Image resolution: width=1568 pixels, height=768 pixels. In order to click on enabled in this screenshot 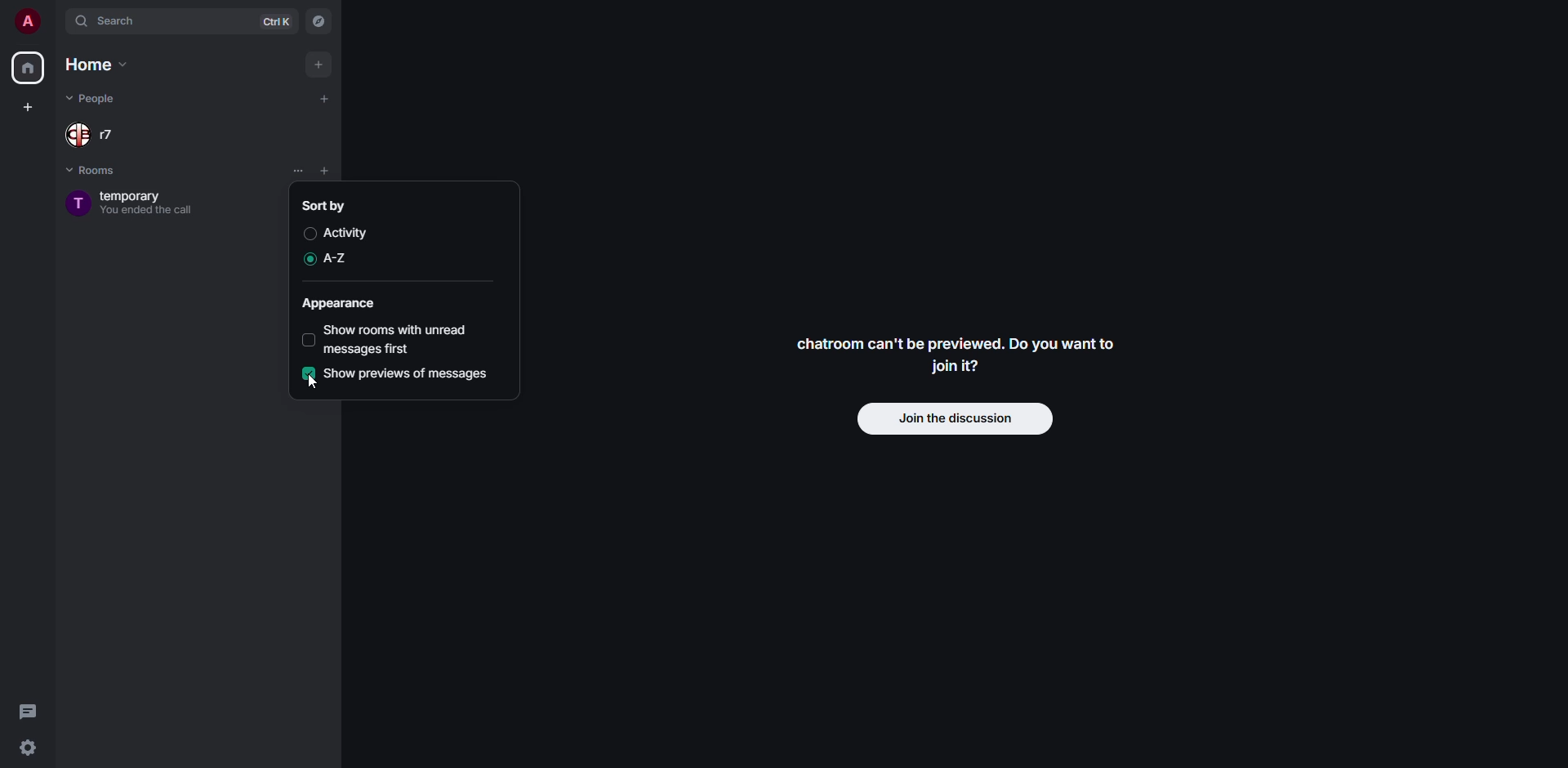, I will do `click(306, 258)`.